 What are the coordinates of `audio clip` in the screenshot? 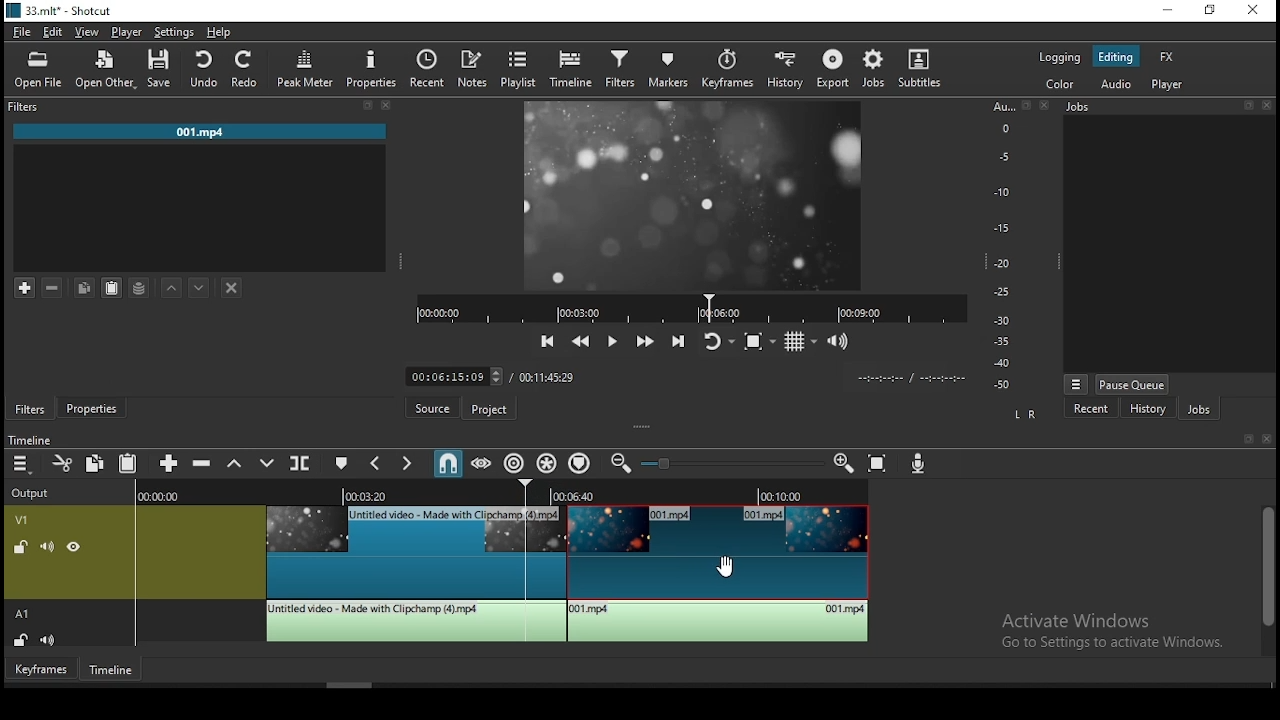 It's located at (719, 622).